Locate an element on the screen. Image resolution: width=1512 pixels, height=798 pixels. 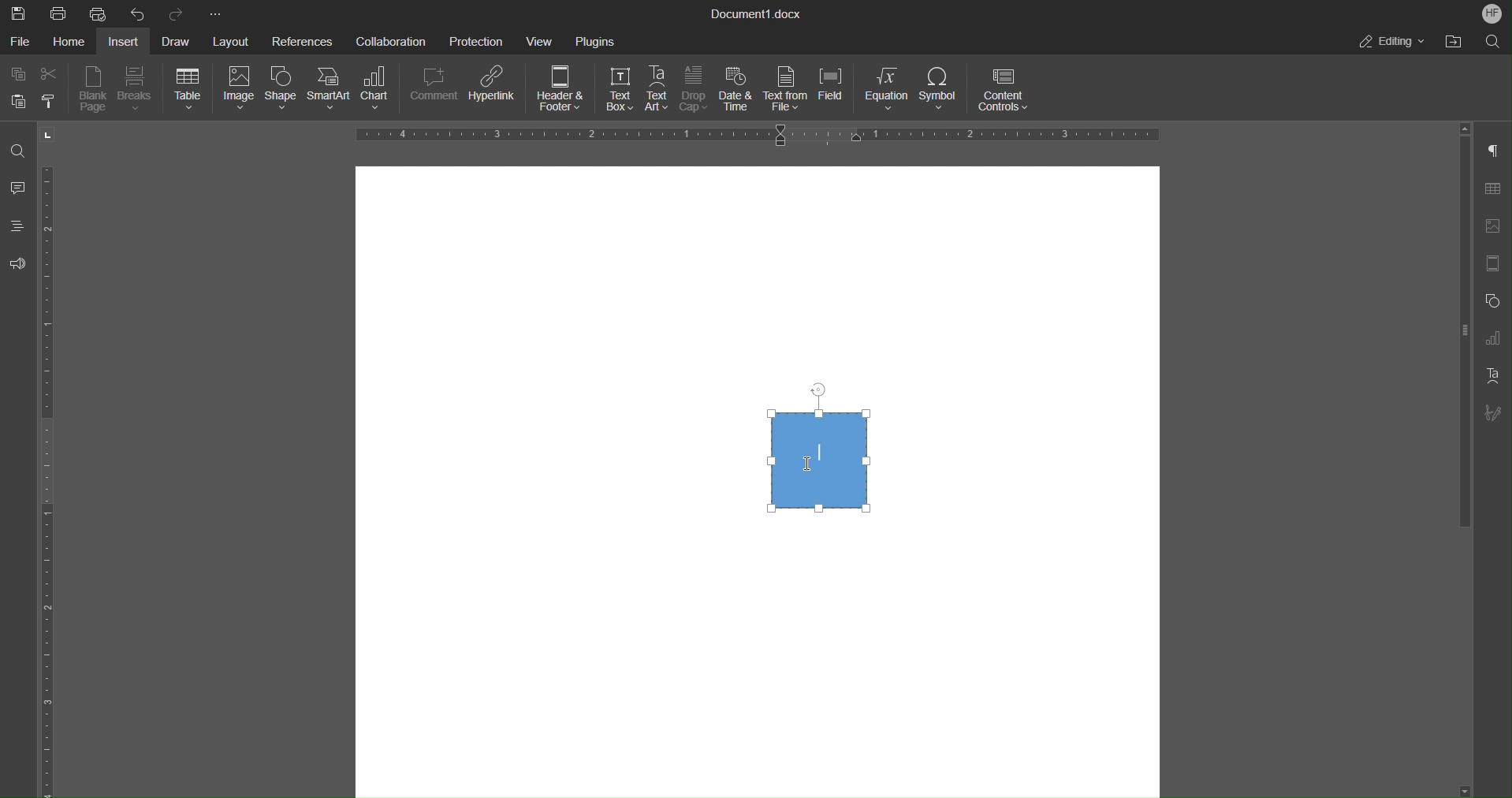
View is located at coordinates (543, 40).